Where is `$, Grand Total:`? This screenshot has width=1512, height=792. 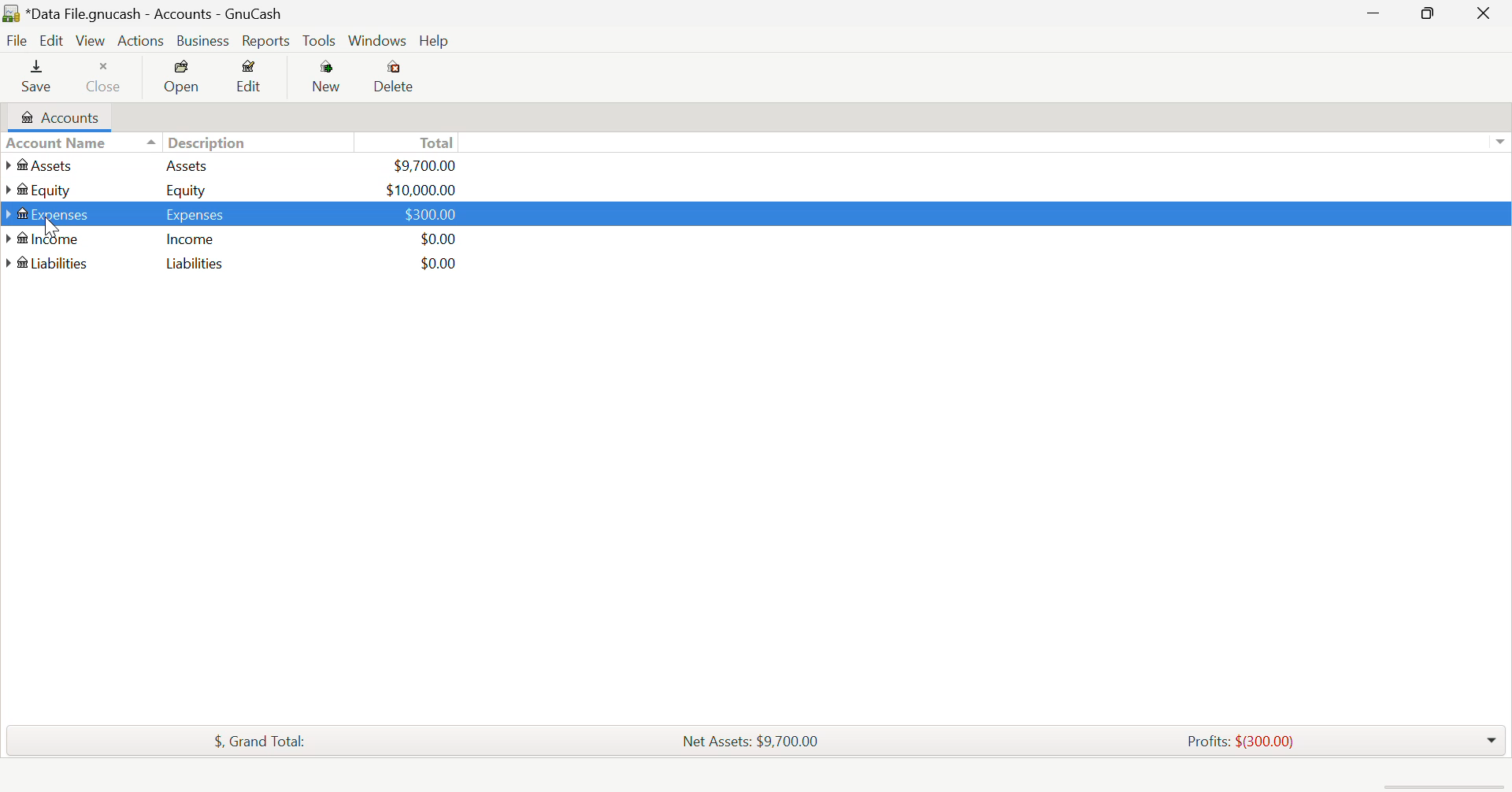 $, Grand Total: is located at coordinates (261, 741).